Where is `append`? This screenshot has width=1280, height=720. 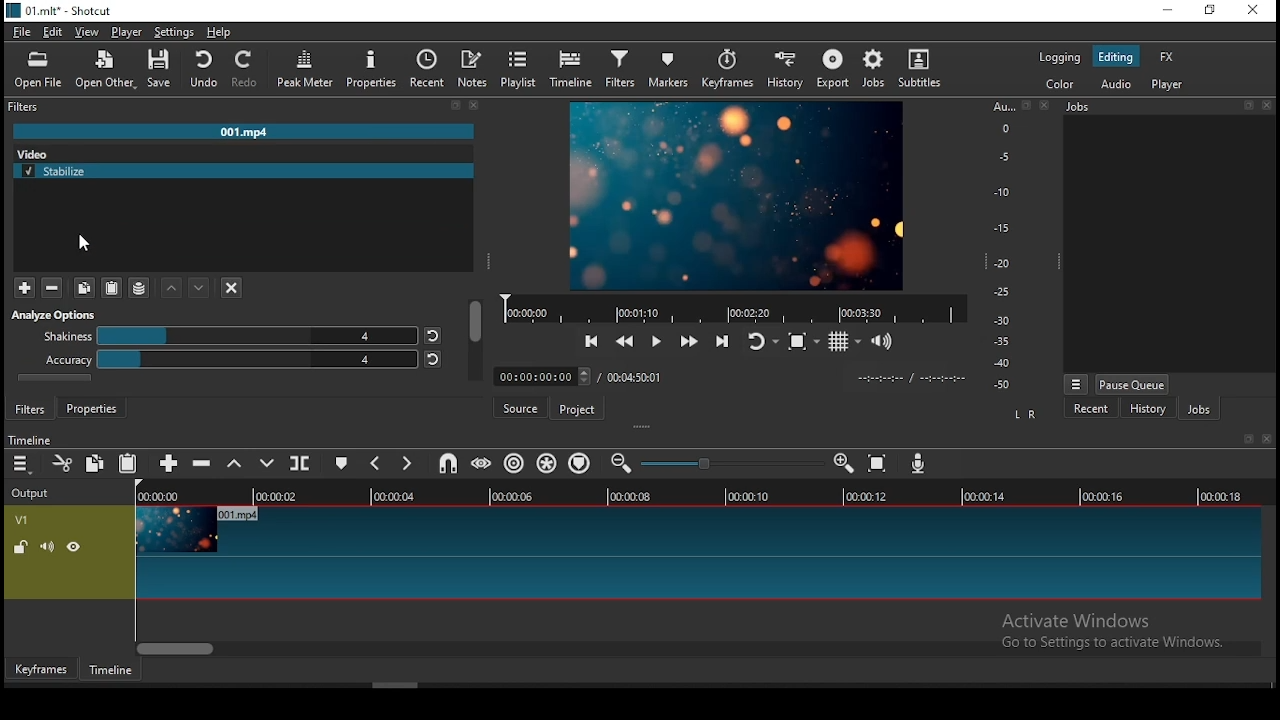
append is located at coordinates (168, 464).